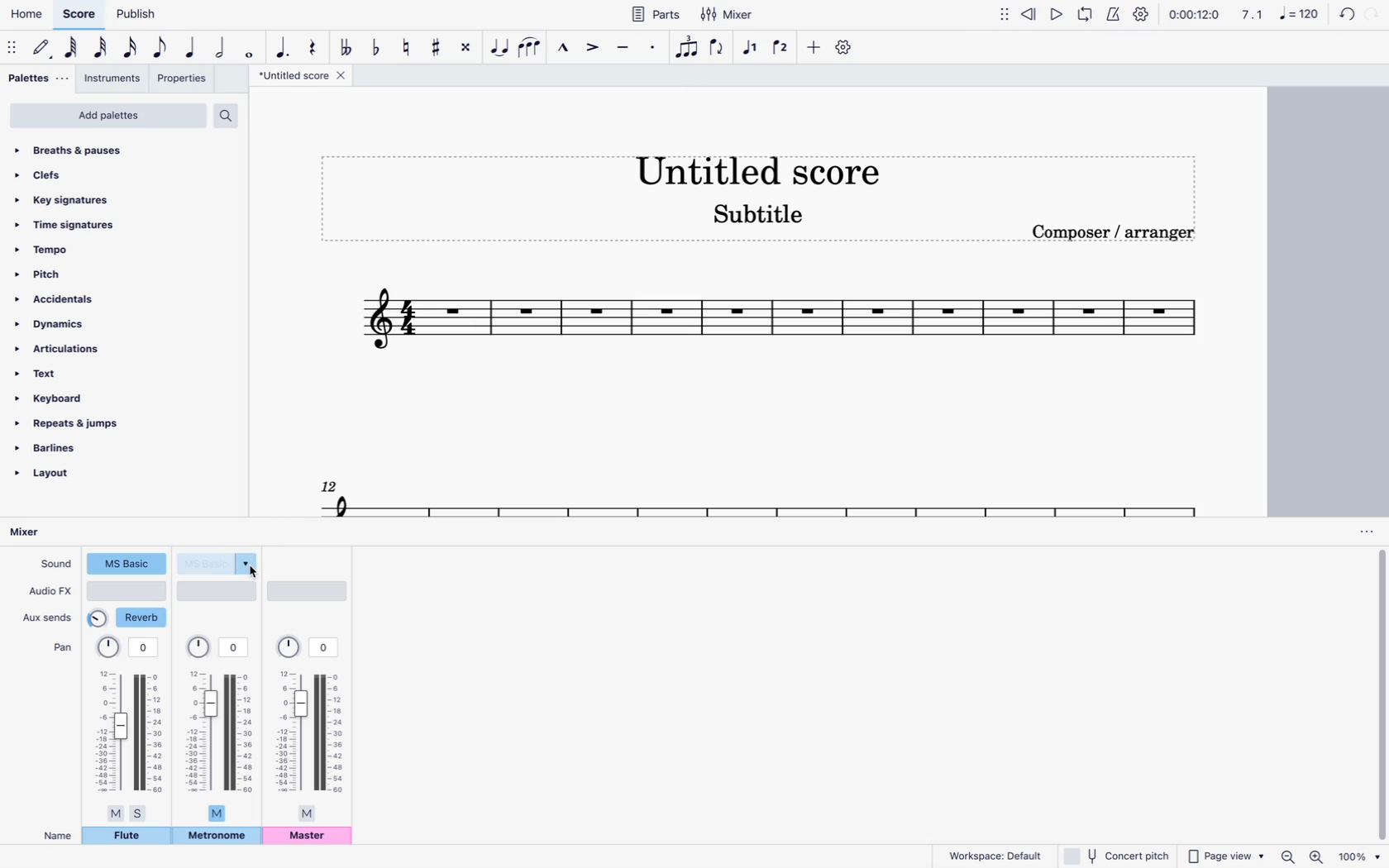  I want to click on mixer, so click(32, 532).